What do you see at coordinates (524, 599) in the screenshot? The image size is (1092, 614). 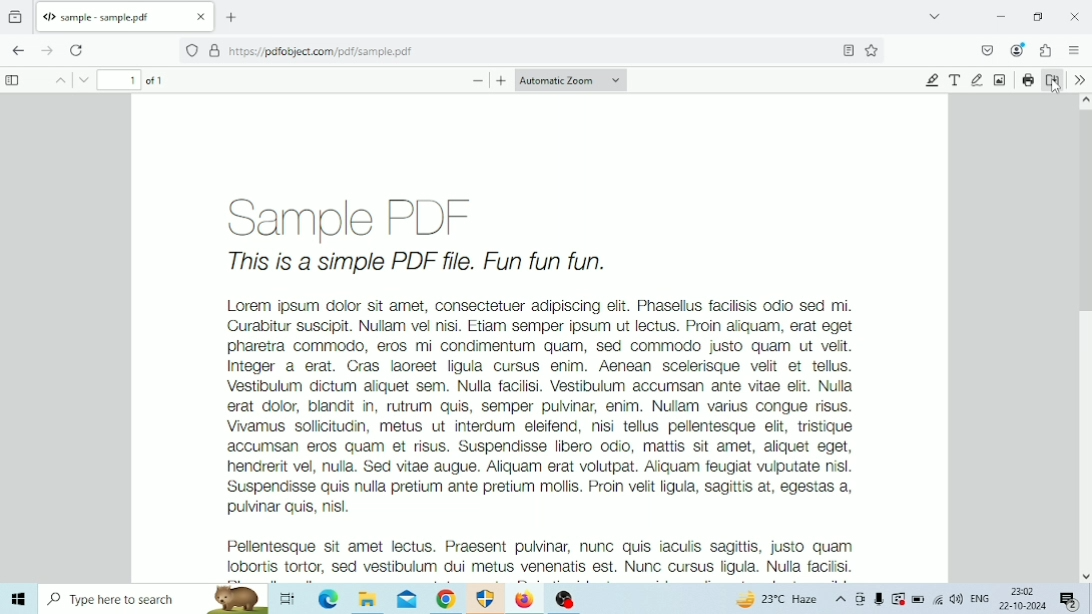 I see `Firefox` at bounding box center [524, 599].